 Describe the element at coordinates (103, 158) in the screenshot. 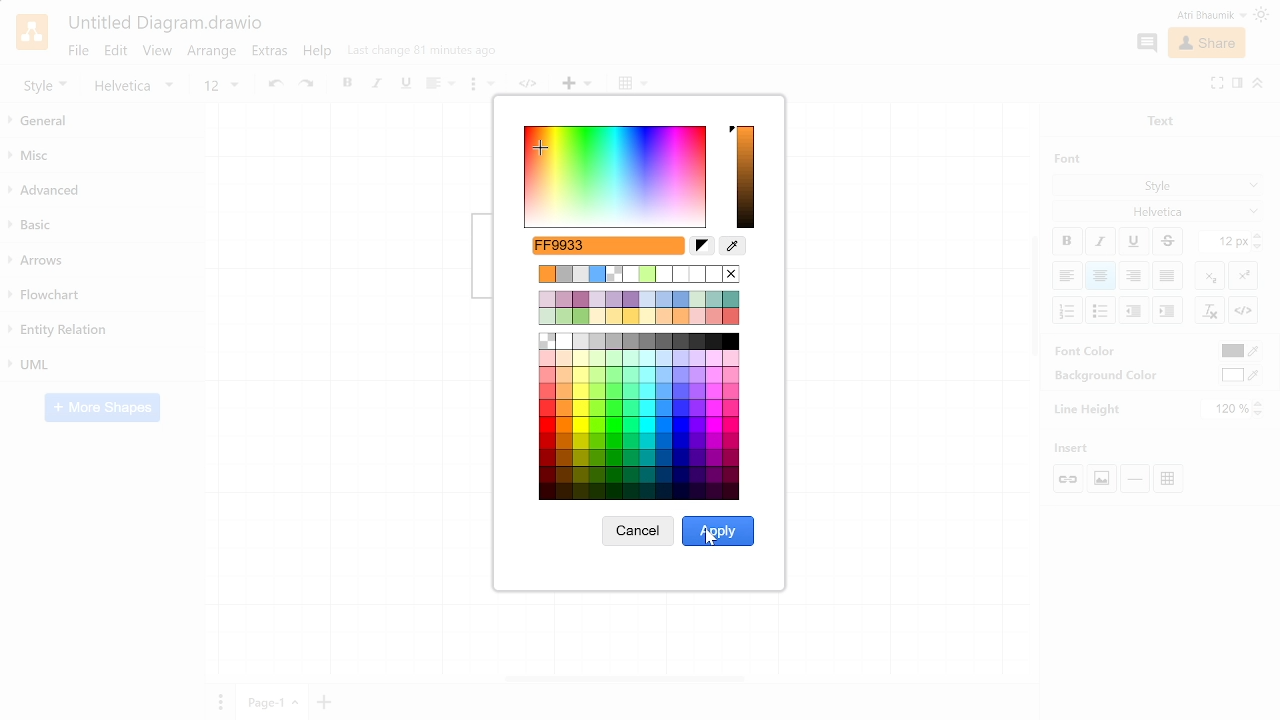

I see `Misc` at that location.